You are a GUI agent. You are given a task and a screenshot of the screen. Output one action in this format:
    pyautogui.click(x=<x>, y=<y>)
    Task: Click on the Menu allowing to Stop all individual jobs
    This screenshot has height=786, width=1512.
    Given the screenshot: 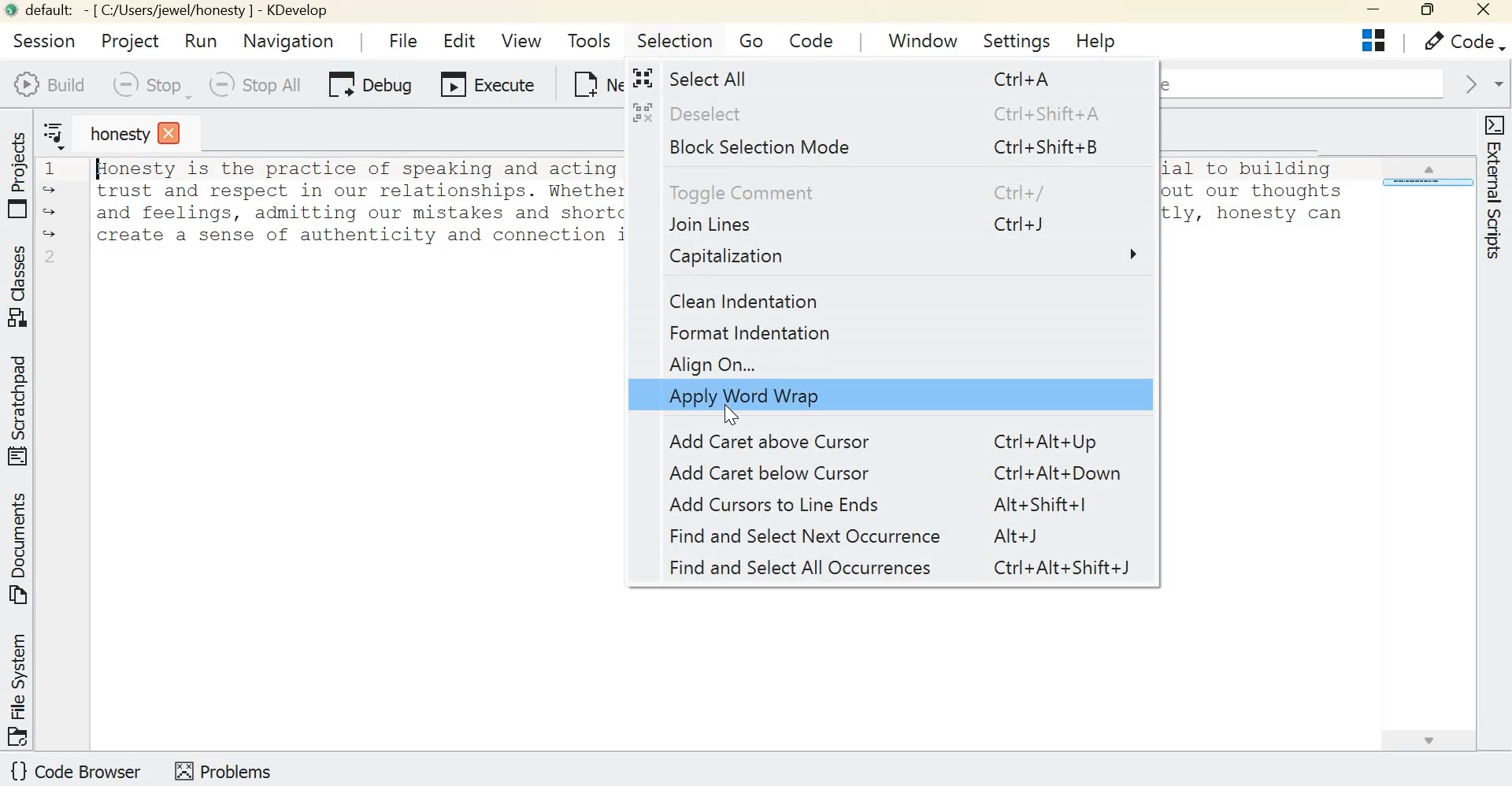 What is the action you would take?
    pyautogui.click(x=148, y=85)
    